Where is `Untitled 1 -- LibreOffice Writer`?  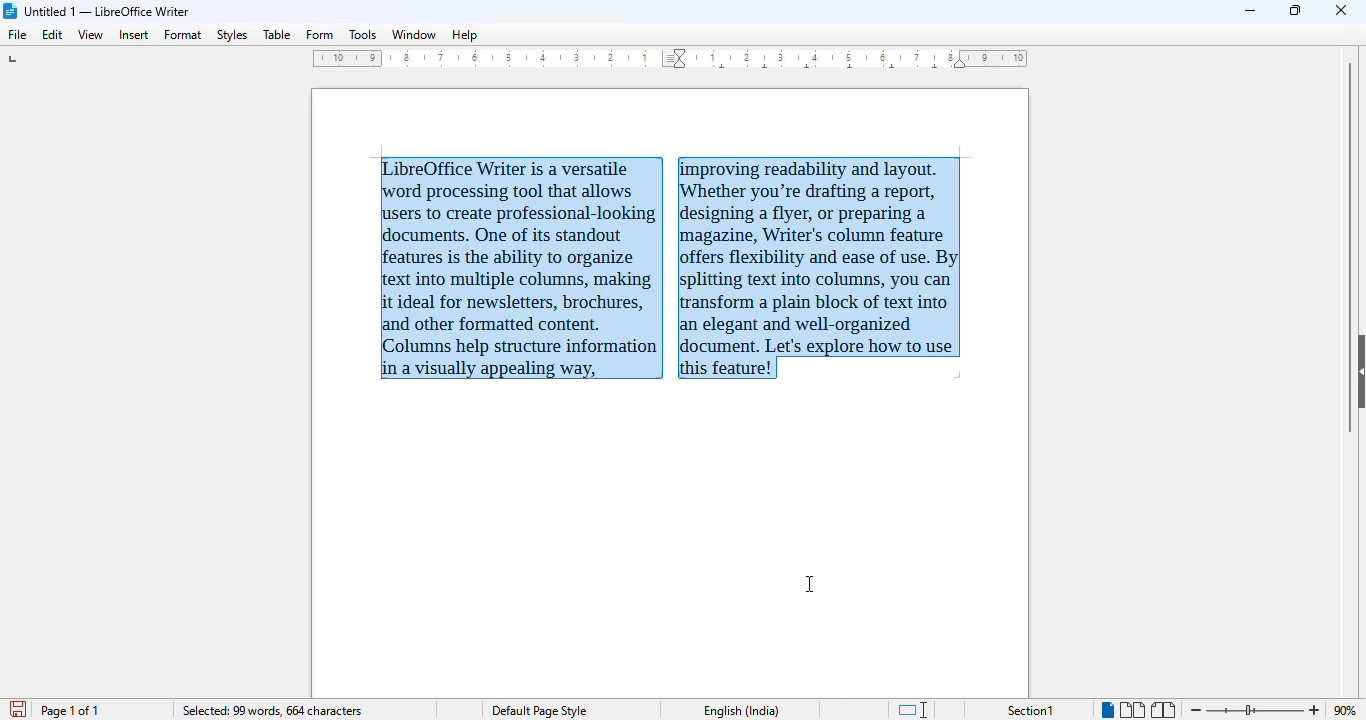 Untitled 1 -- LibreOffice Writer is located at coordinates (110, 10).